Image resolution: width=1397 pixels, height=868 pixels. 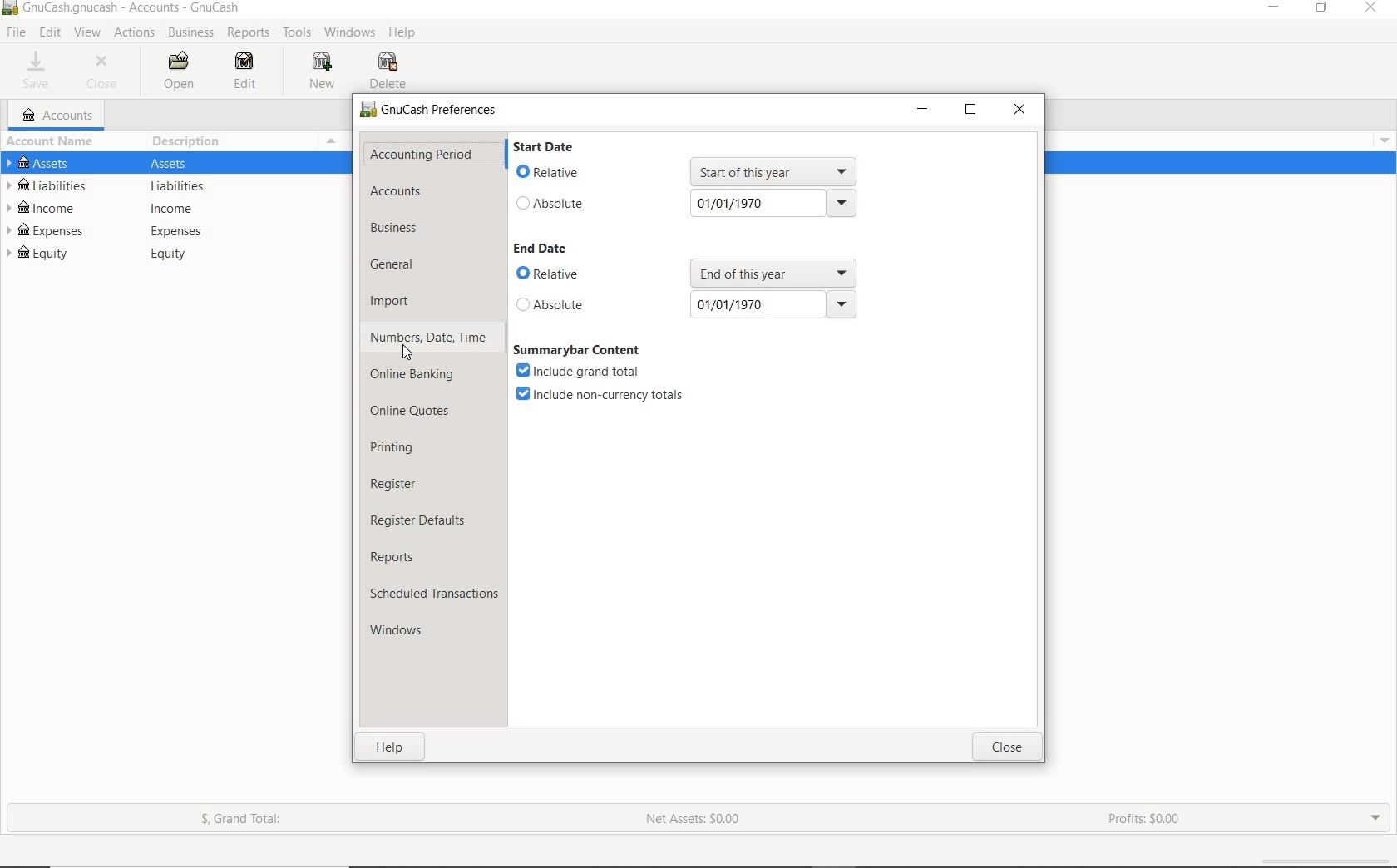 I want to click on register, so click(x=395, y=485).